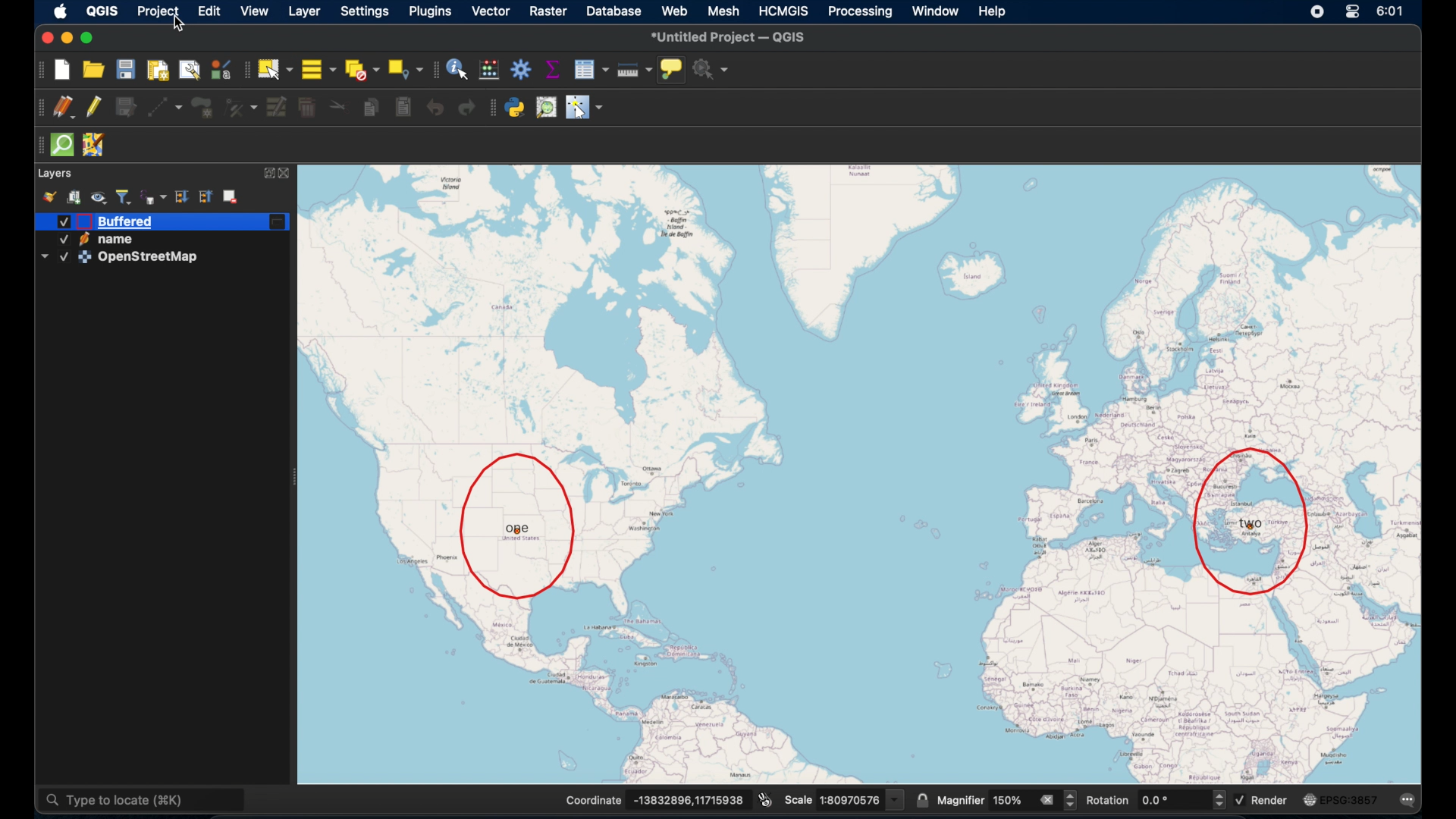 Image resolution: width=1456 pixels, height=819 pixels. Describe the element at coordinates (457, 69) in the screenshot. I see `identify features` at that location.